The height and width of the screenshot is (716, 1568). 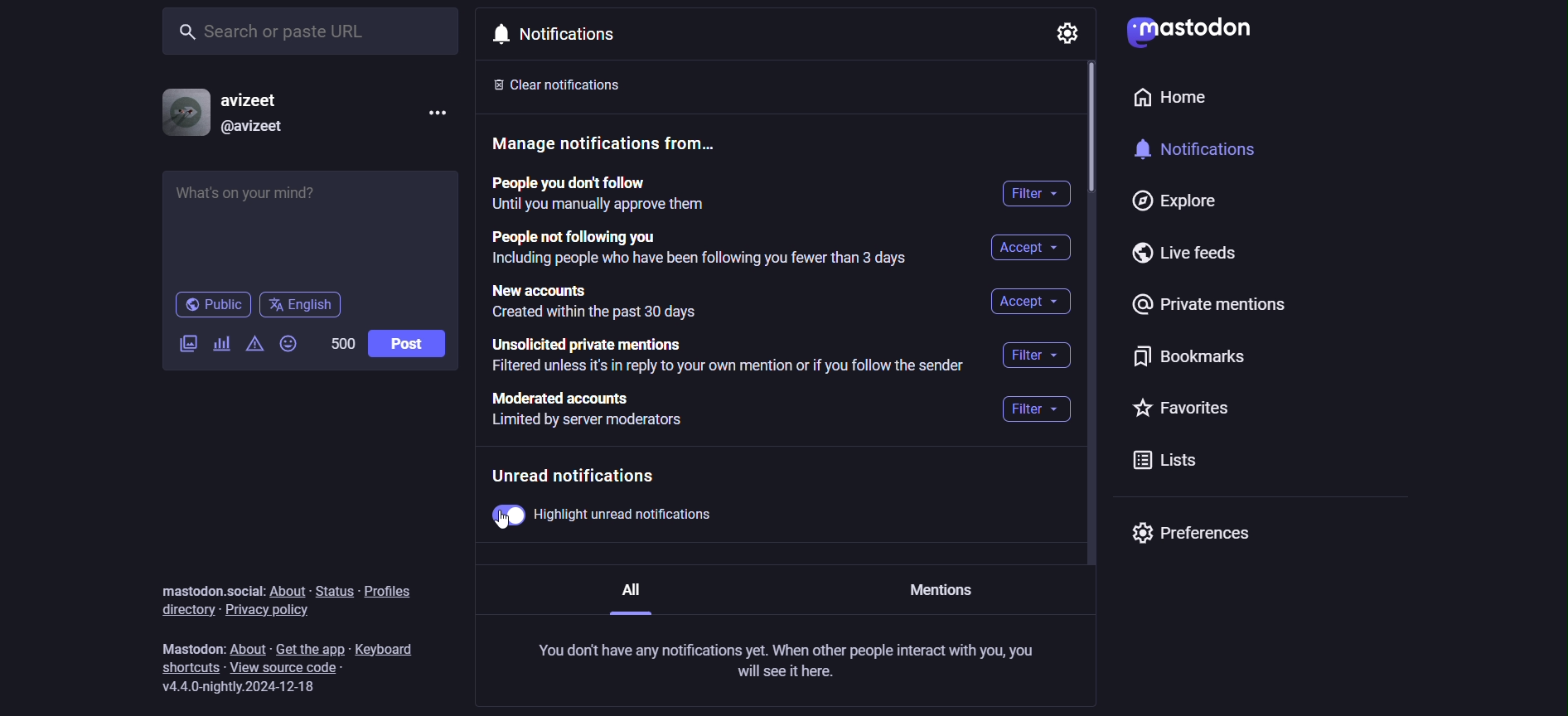 I want to click on all, so click(x=629, y=594).